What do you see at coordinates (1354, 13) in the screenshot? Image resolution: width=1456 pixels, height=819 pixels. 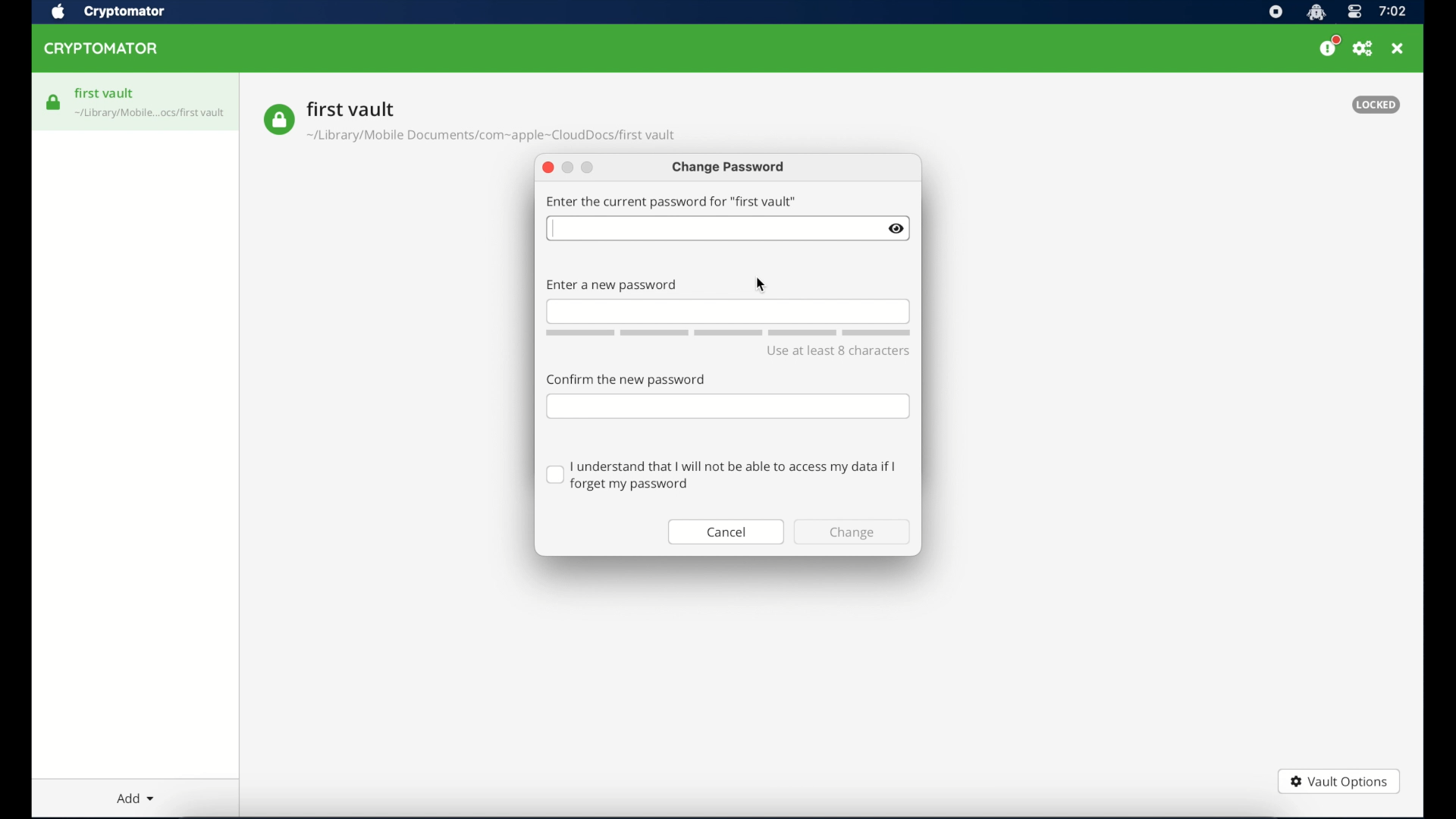 I see `control center` at bounding box center [1354, 13].